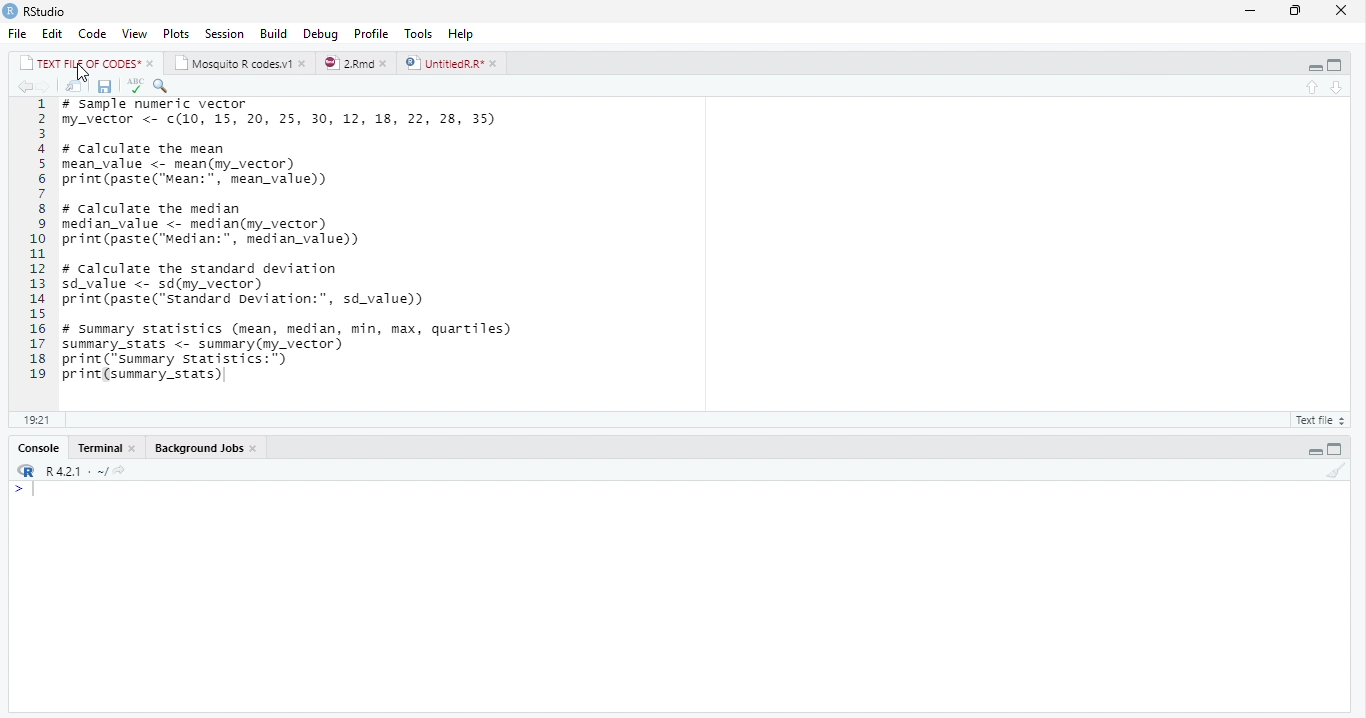 The image size is (1366, 718). I want to click on view, so click(135, 34).